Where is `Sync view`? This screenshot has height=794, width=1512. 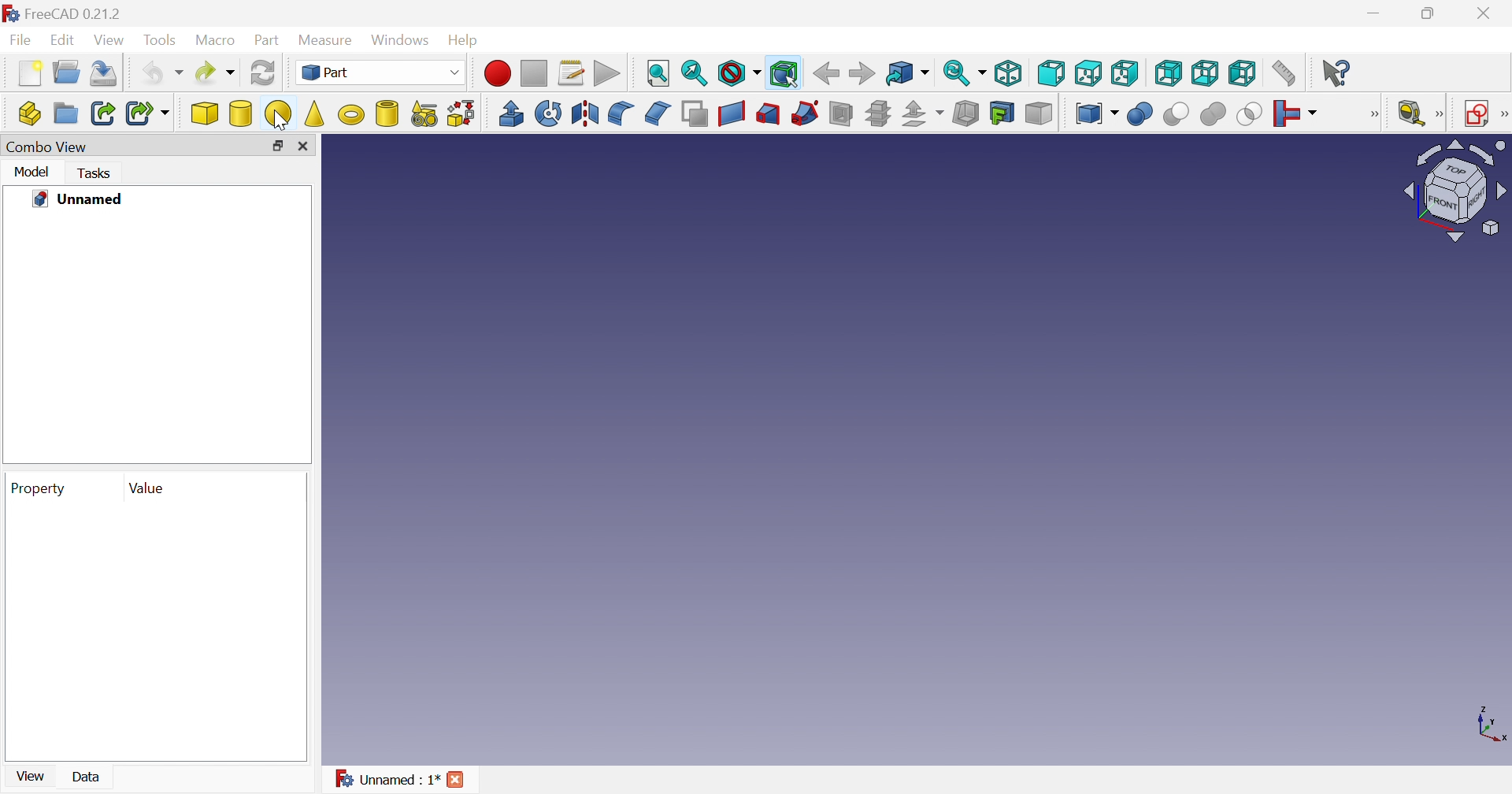
Sync view is located at coordinates (964, 72).